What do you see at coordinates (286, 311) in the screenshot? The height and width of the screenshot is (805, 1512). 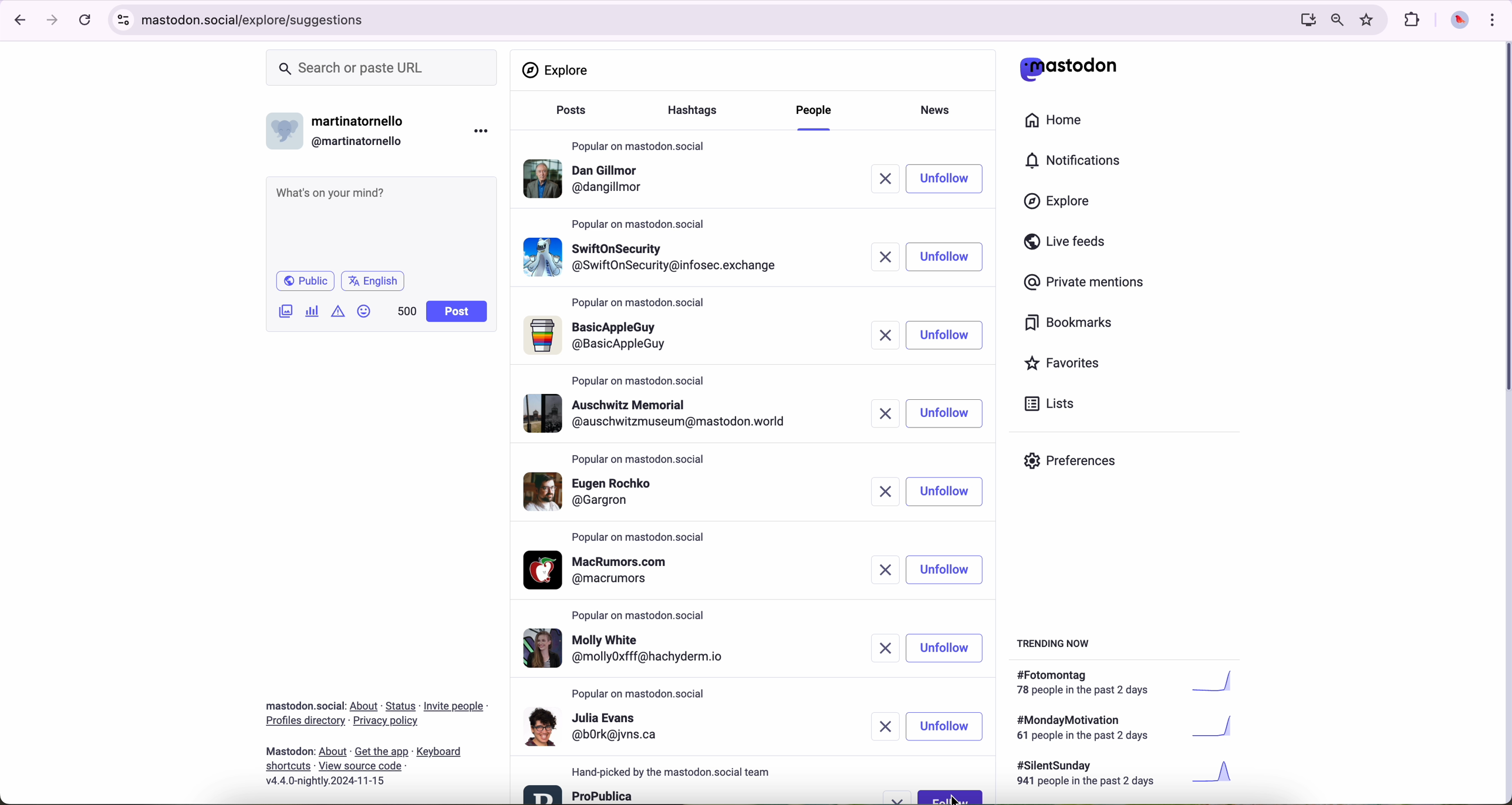 I see `attach image` at bounding box center [286, 311].